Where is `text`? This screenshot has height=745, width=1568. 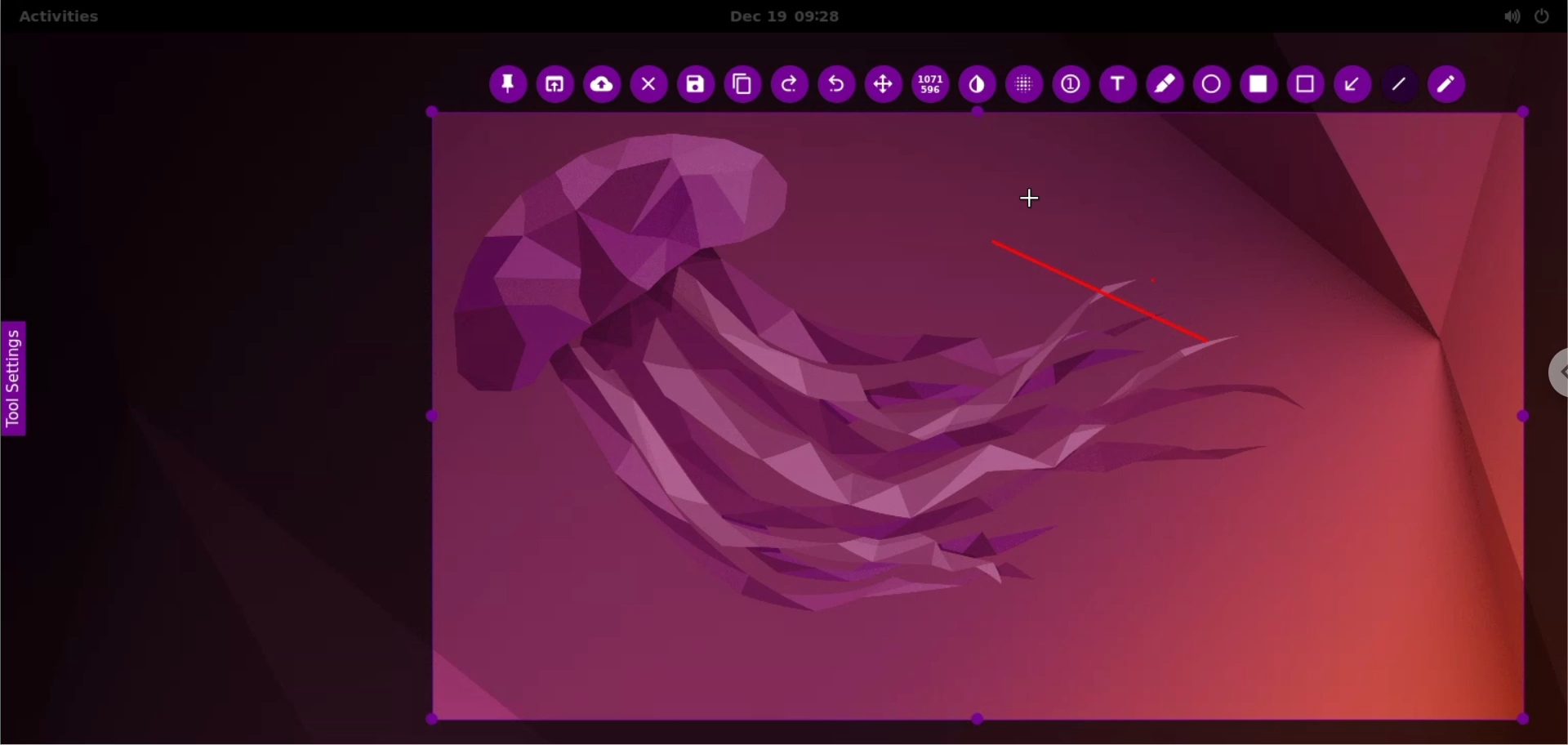
text is located at coordinates (1114, 84).